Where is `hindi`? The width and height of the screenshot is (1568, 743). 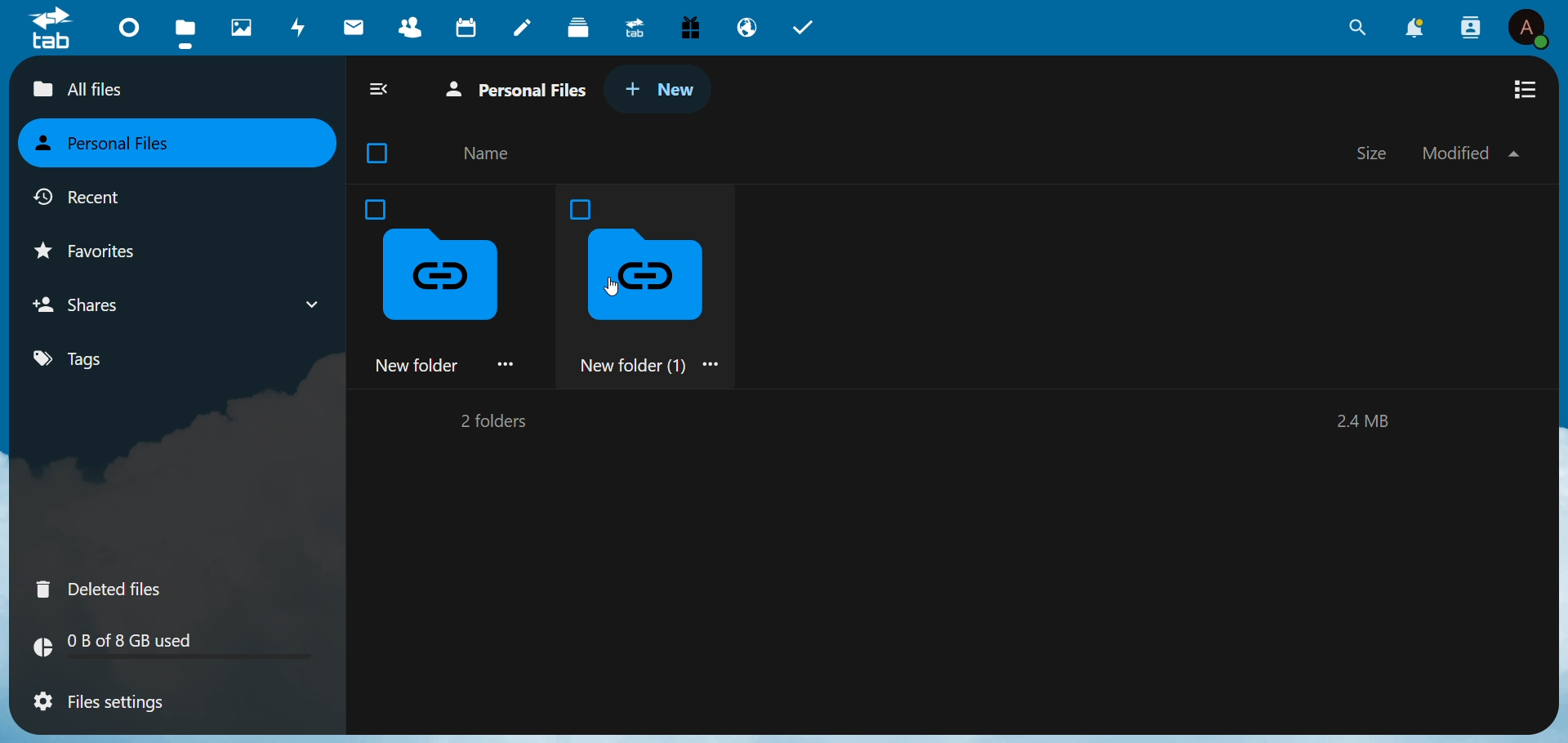 hindi is located at coordinates (243, 28).